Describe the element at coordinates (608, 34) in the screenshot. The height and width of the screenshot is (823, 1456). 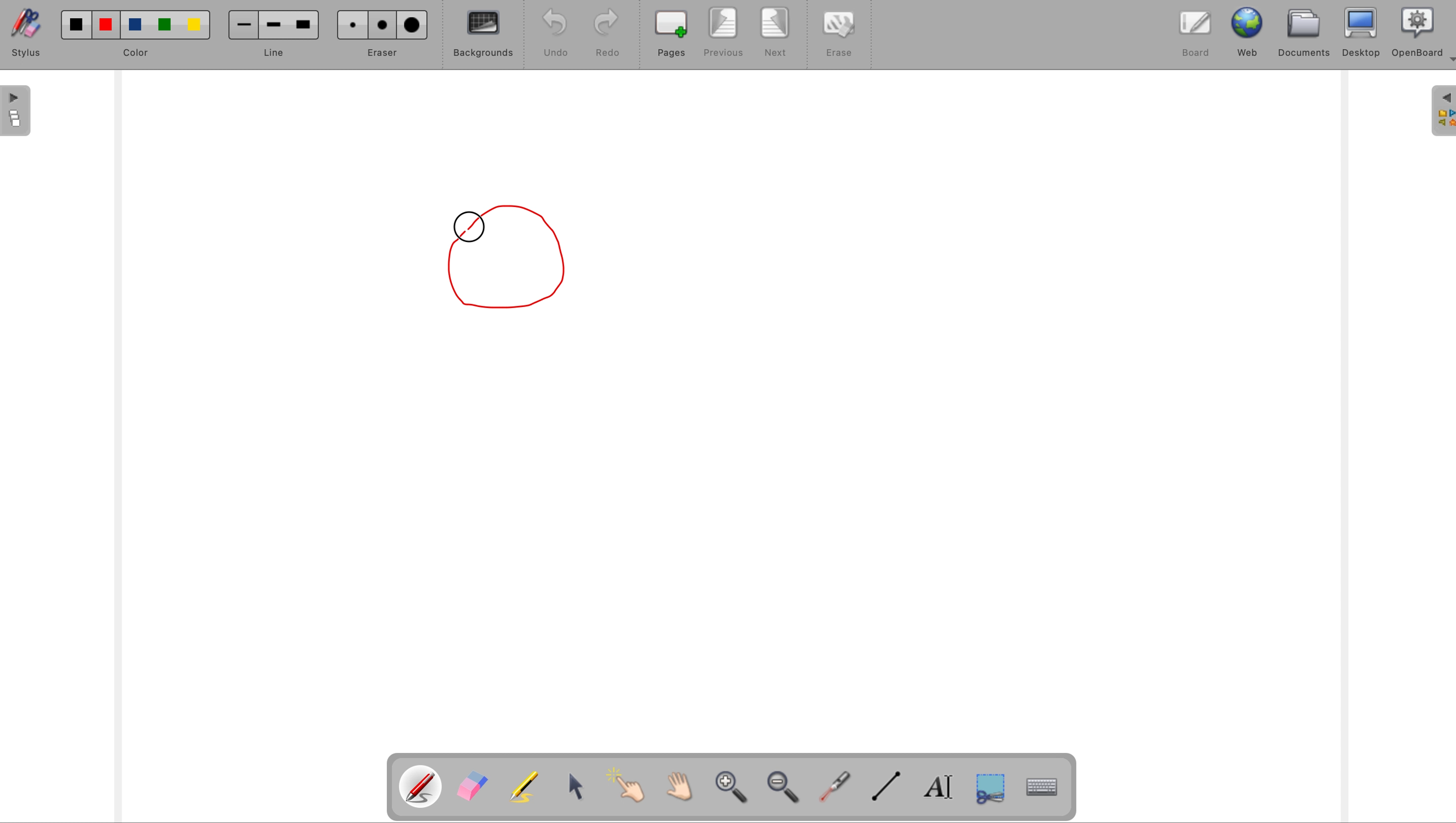
I see `redo` at that location.